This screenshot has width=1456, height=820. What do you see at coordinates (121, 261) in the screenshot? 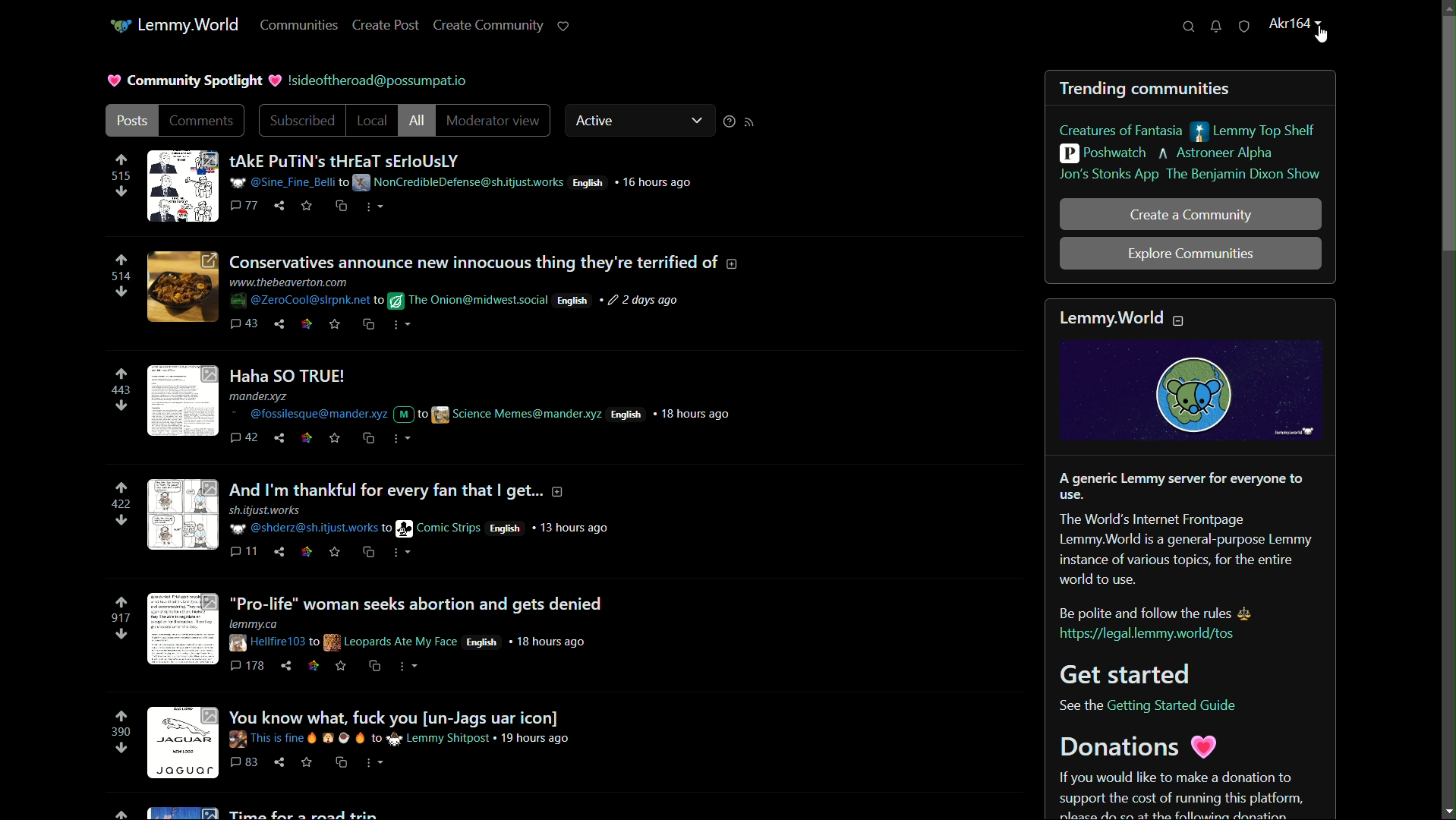
I see `upvote` at bounding box center [121, 261].